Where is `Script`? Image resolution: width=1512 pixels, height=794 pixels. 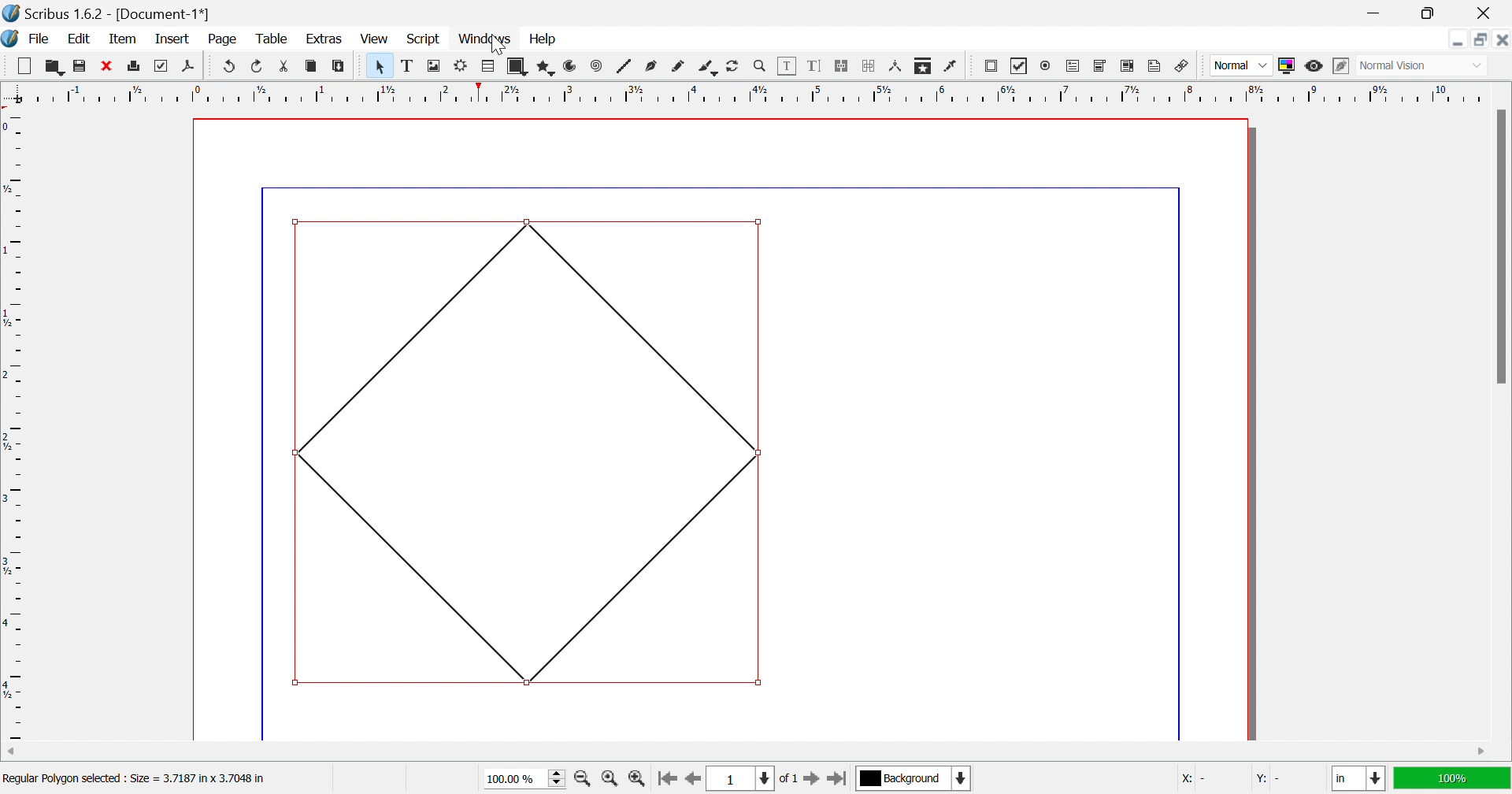
Script is located at coordinates (428, 40).